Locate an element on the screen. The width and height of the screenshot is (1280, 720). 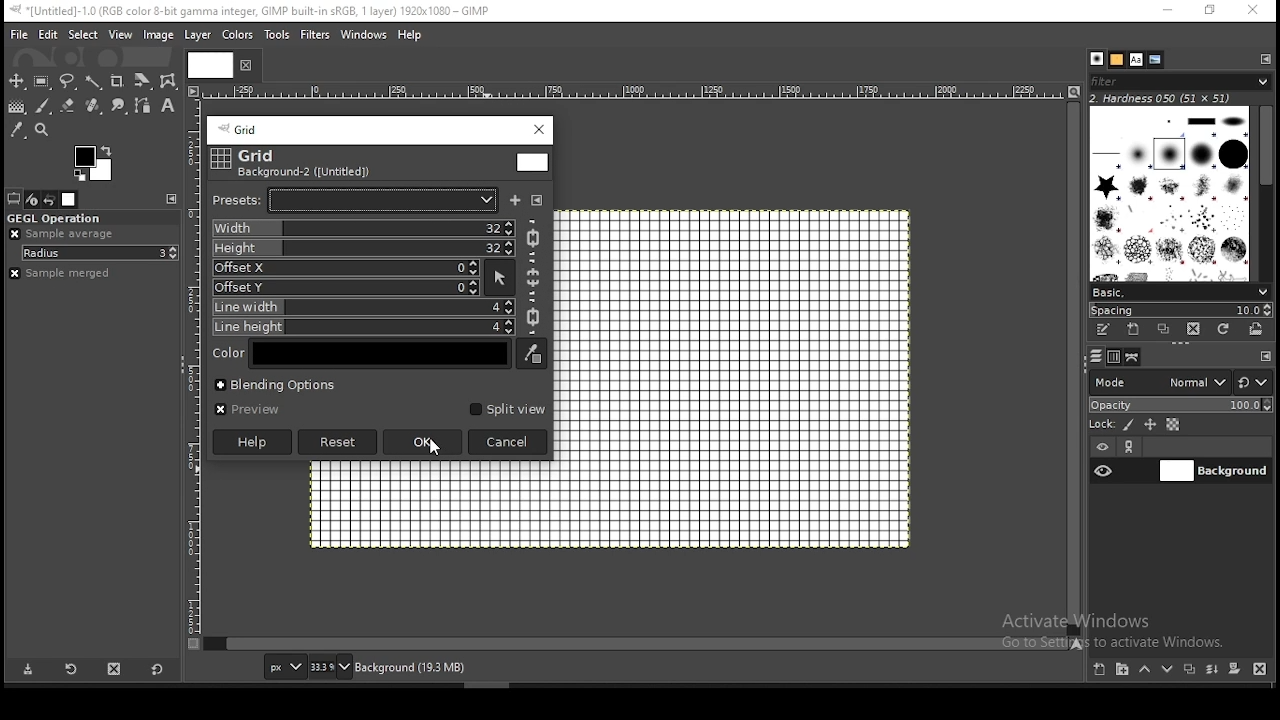
delete tool preset is located at coordinates (122, 671).